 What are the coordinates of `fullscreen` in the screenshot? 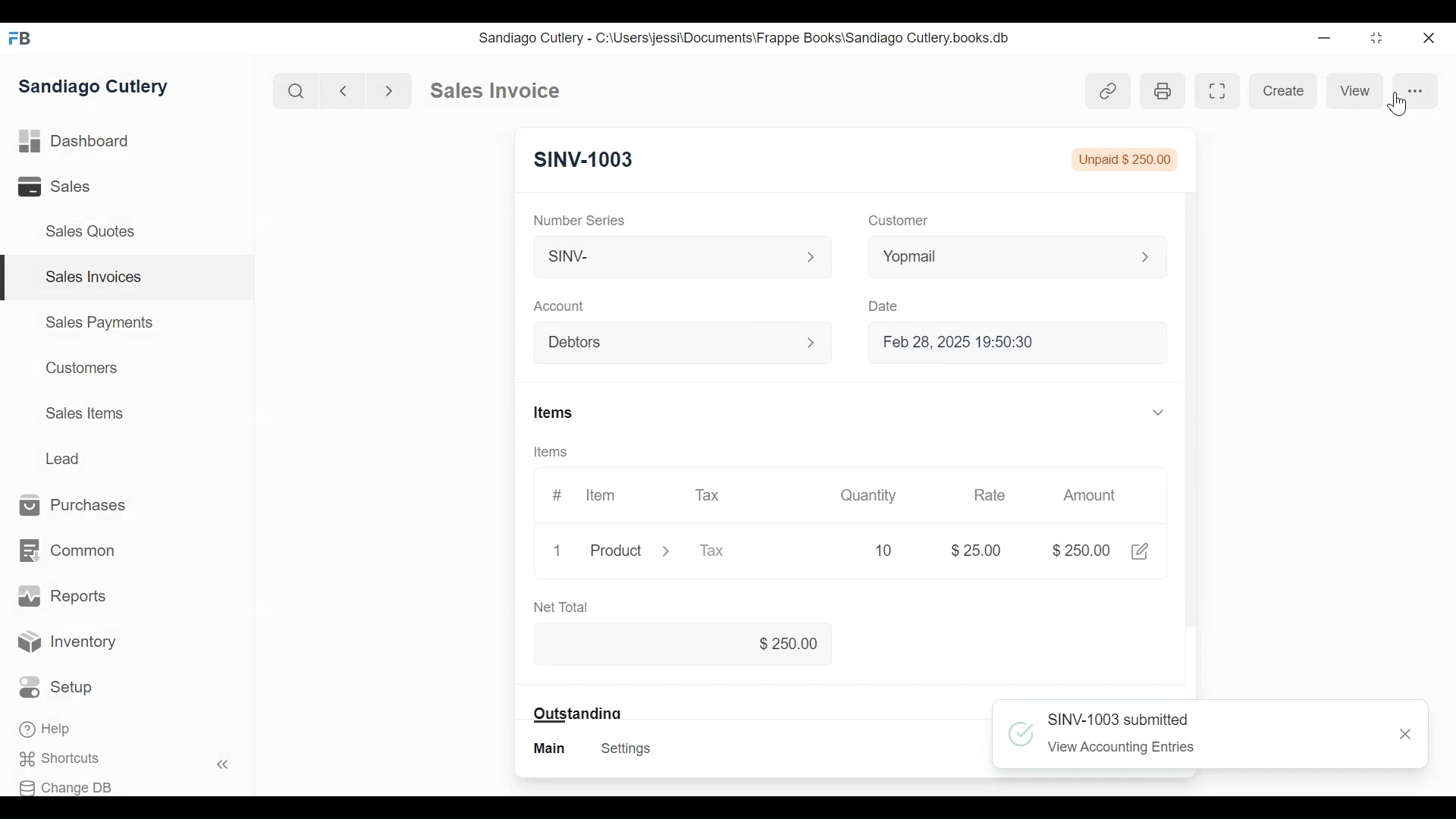 It's located at (1219, 90).